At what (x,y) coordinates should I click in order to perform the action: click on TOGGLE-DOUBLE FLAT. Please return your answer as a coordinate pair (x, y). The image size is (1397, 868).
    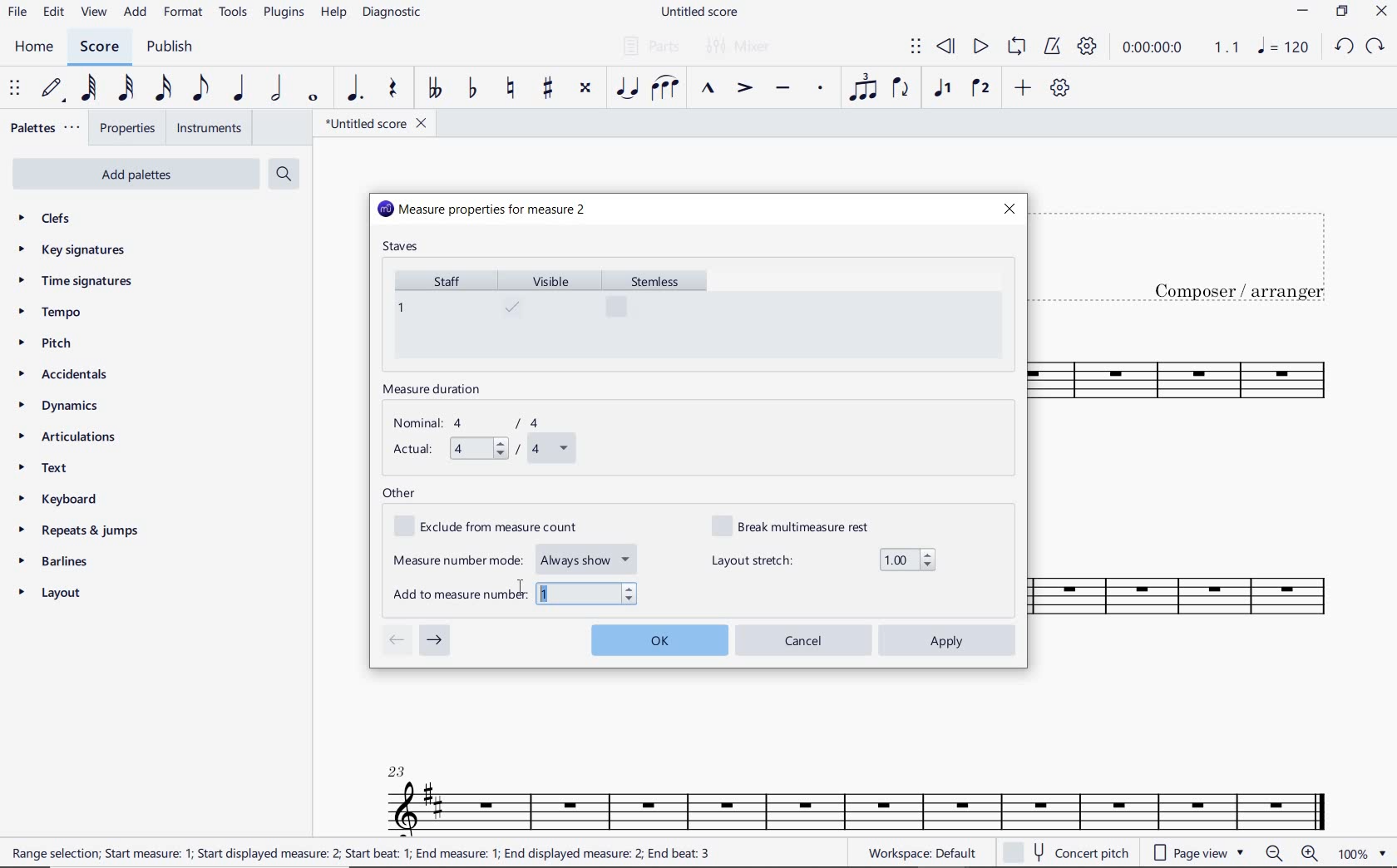
    Looking at the image, I should click on (434, 88).